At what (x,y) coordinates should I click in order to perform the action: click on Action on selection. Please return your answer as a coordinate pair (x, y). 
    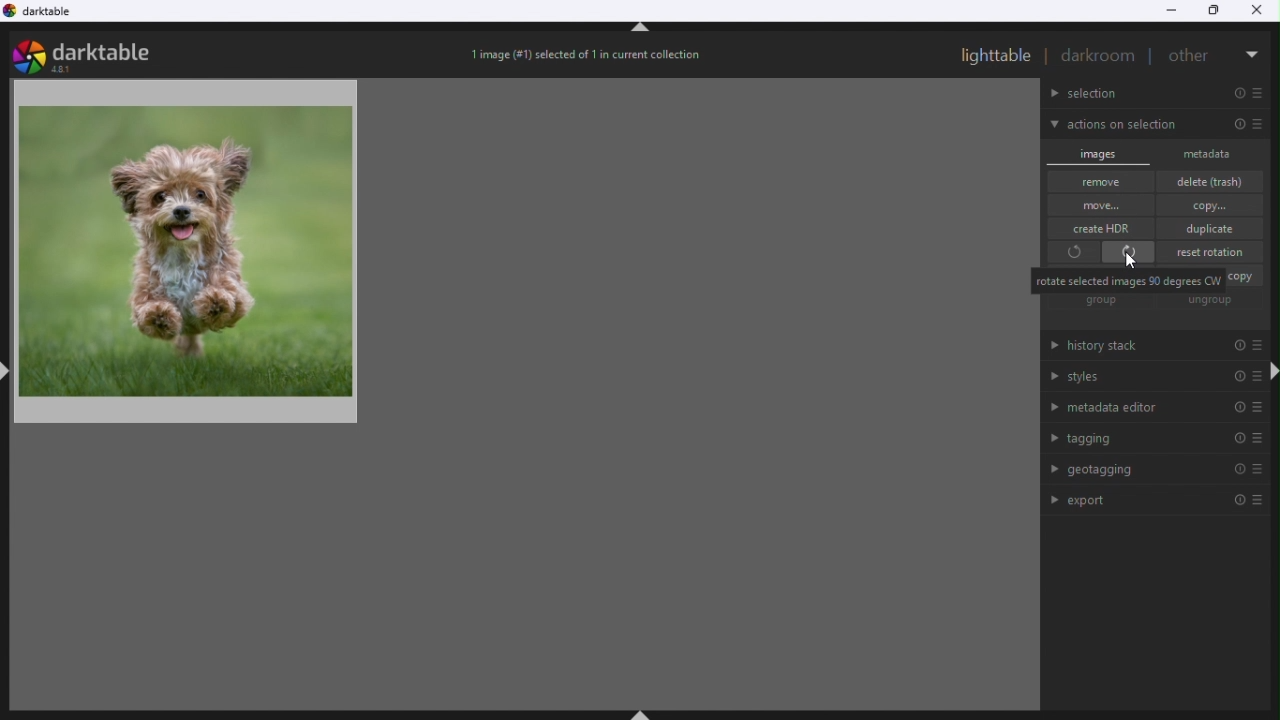
    Looking at the image, I should click on (1155, 125).